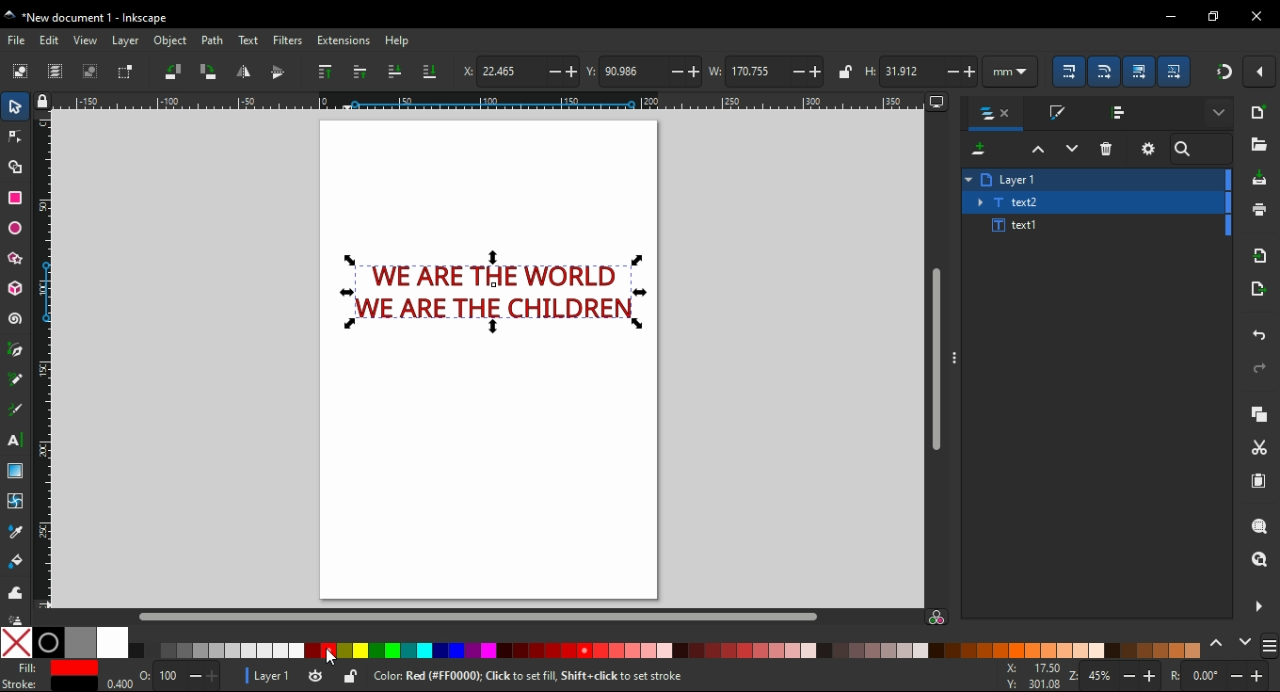 The width and height of the screenshot is (1280, 692). What do you see at coordinates (1176, 72) in the screenshot?
I see `move patterns along with objects` at bounding box center [1176, 72].